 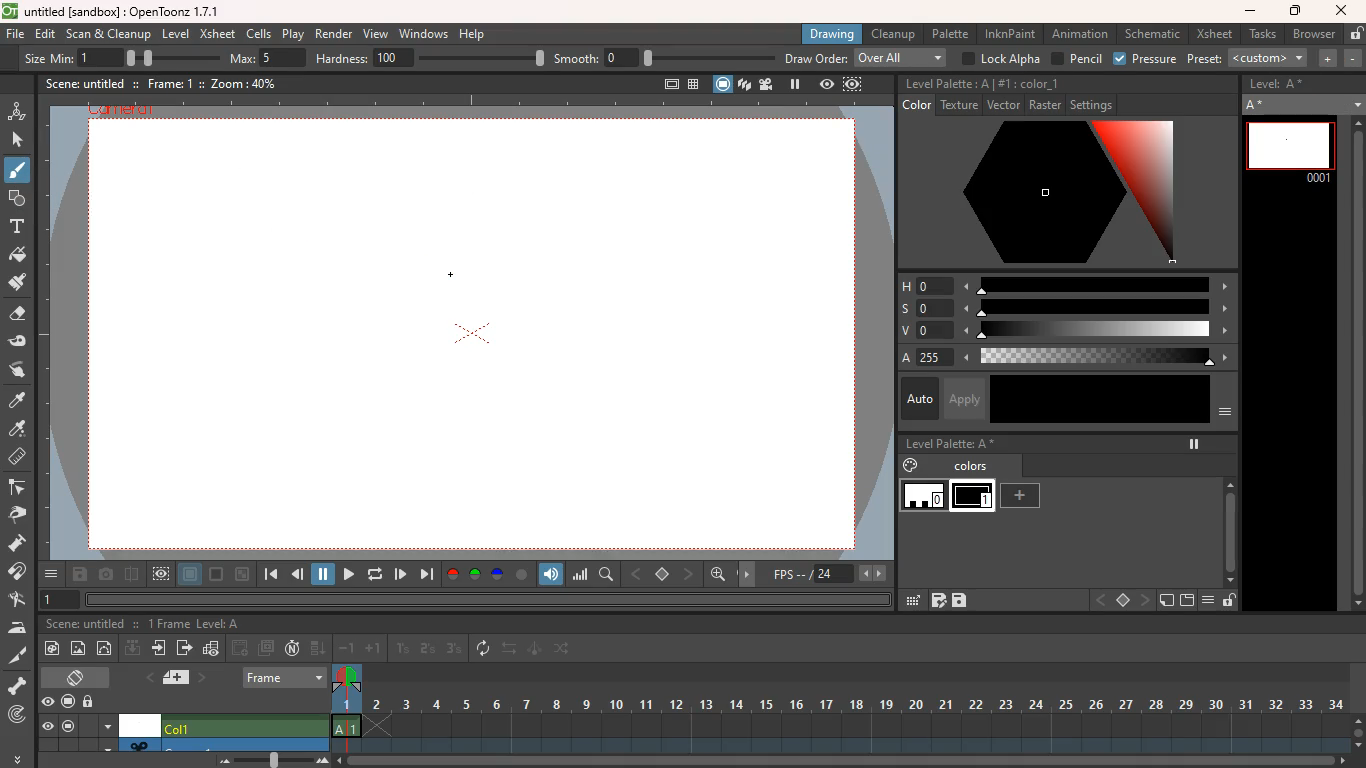 What do you see at coordinates (110, 33) in the screenshot?
I see `scan & cleanup` at bounding box center [110, 33].